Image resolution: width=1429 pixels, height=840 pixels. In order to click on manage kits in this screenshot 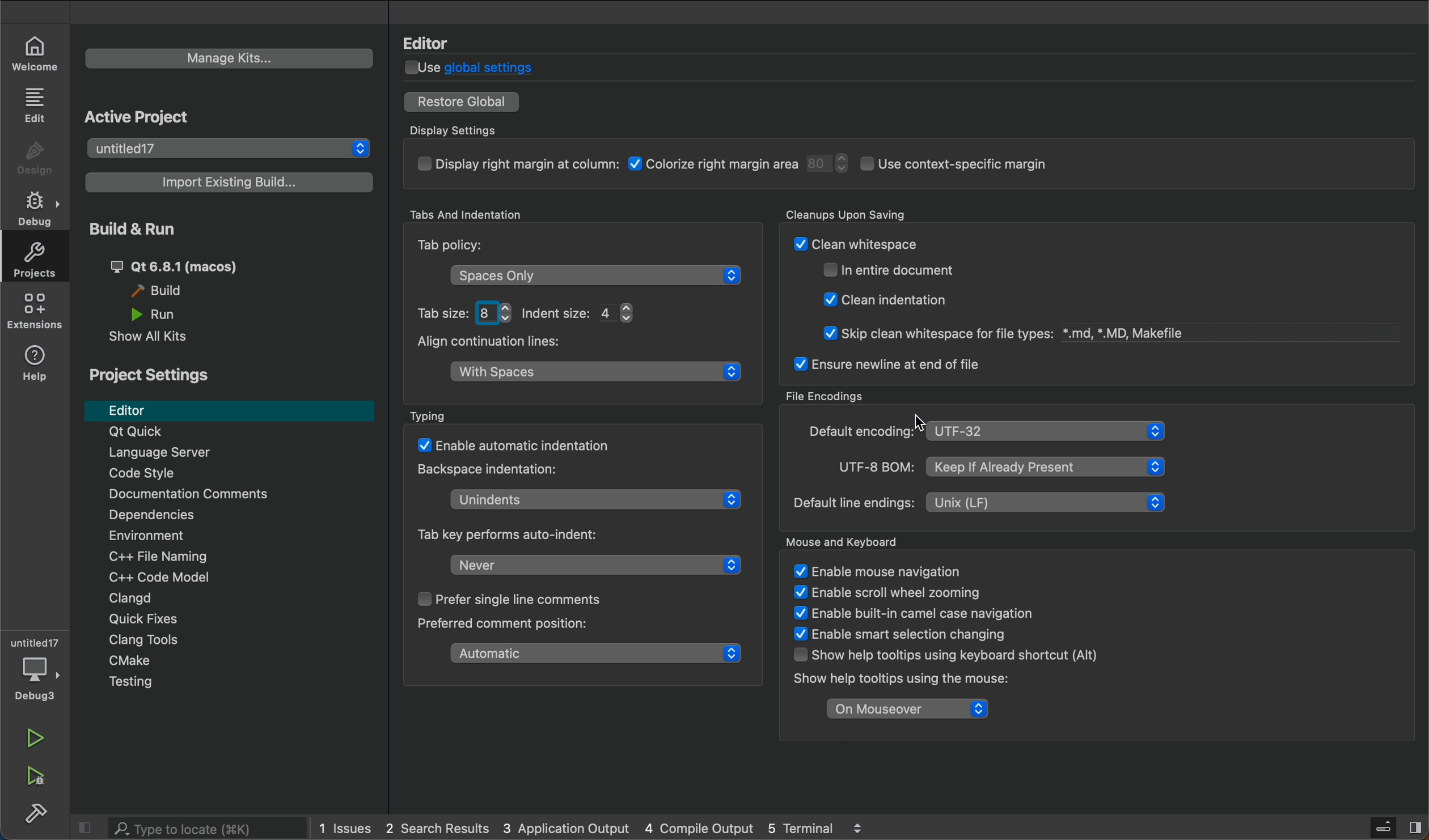, I will do `click(232, 57)`.